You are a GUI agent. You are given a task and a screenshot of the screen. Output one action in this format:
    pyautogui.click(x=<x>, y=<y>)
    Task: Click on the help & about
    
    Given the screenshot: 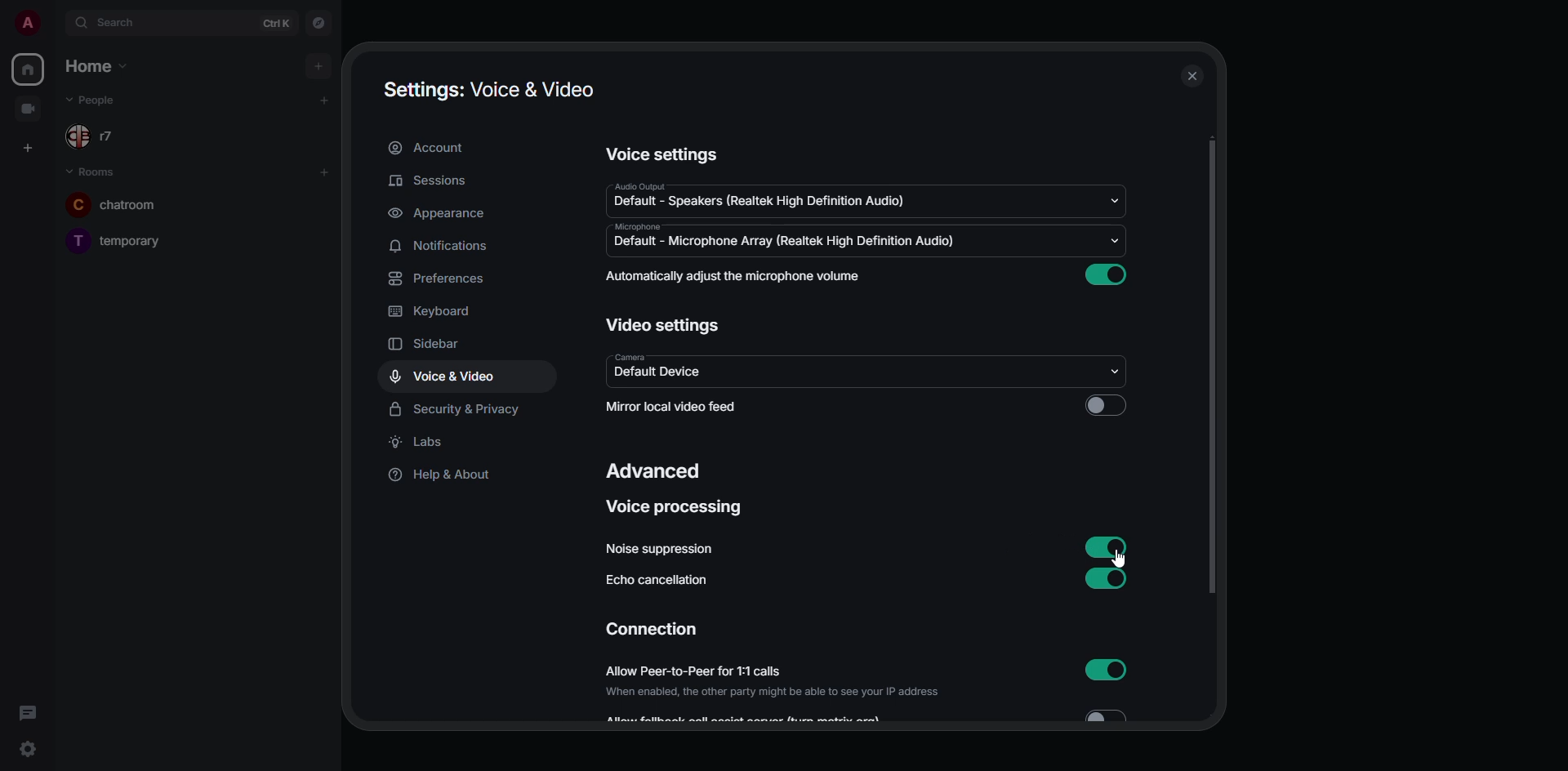 What is the action you would take?
    pyautogui.click(x=438, y=476)
    